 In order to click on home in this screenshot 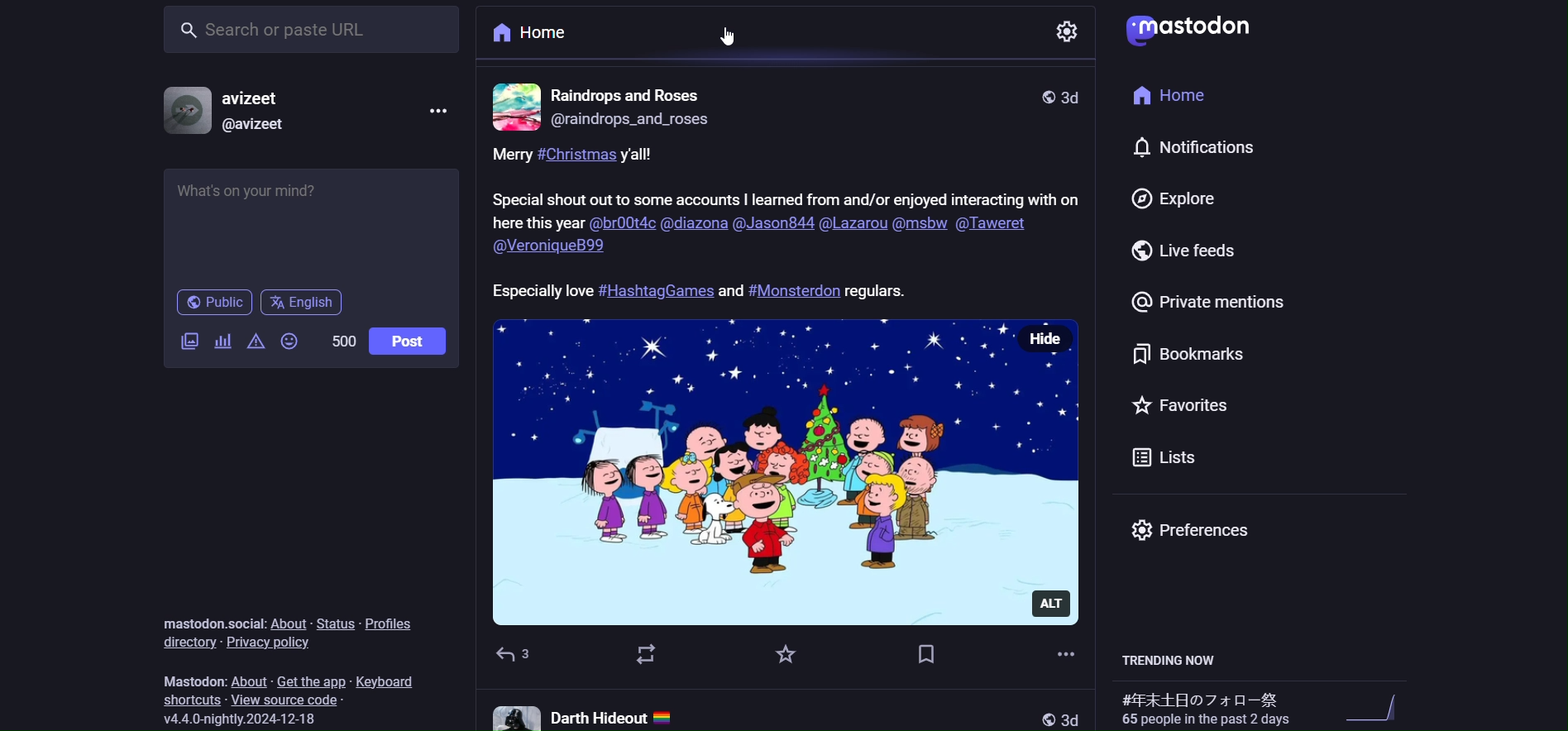, I will do `click(1172, 95)`.